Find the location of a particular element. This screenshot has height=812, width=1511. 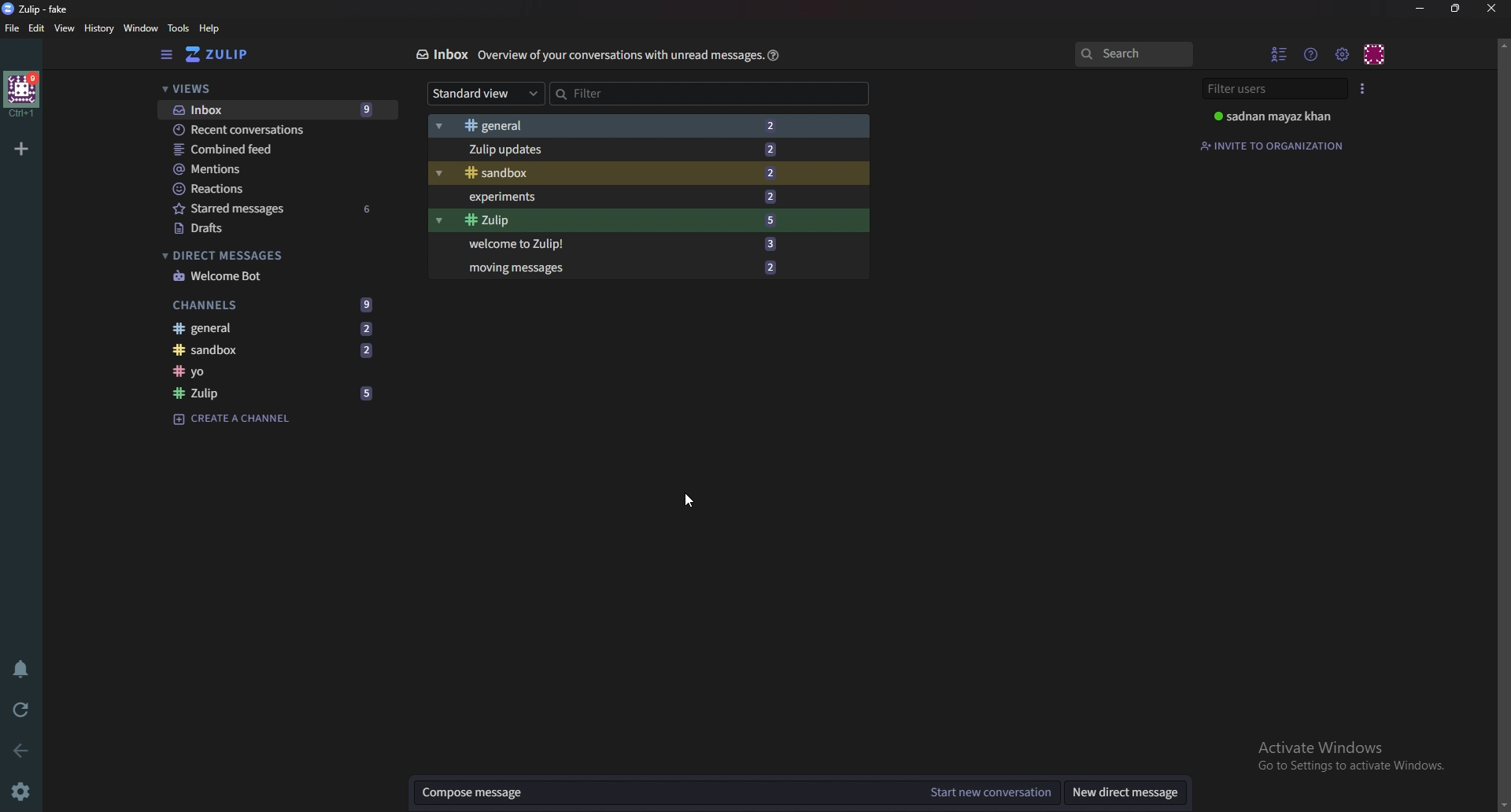

search is located at coordinates (1132, 54).